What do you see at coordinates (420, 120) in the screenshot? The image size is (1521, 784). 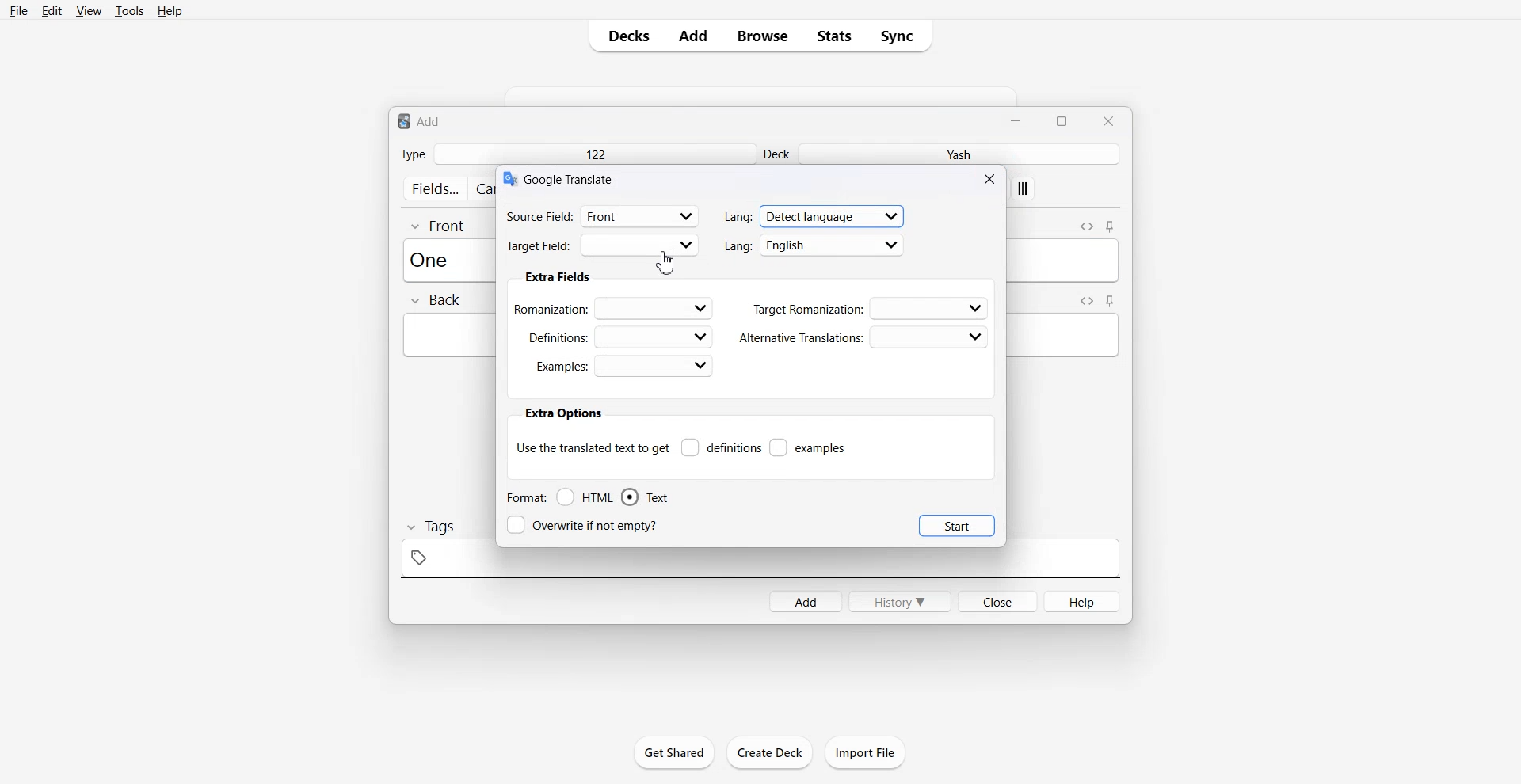 I see `Text` at bounding box center [420, 120].